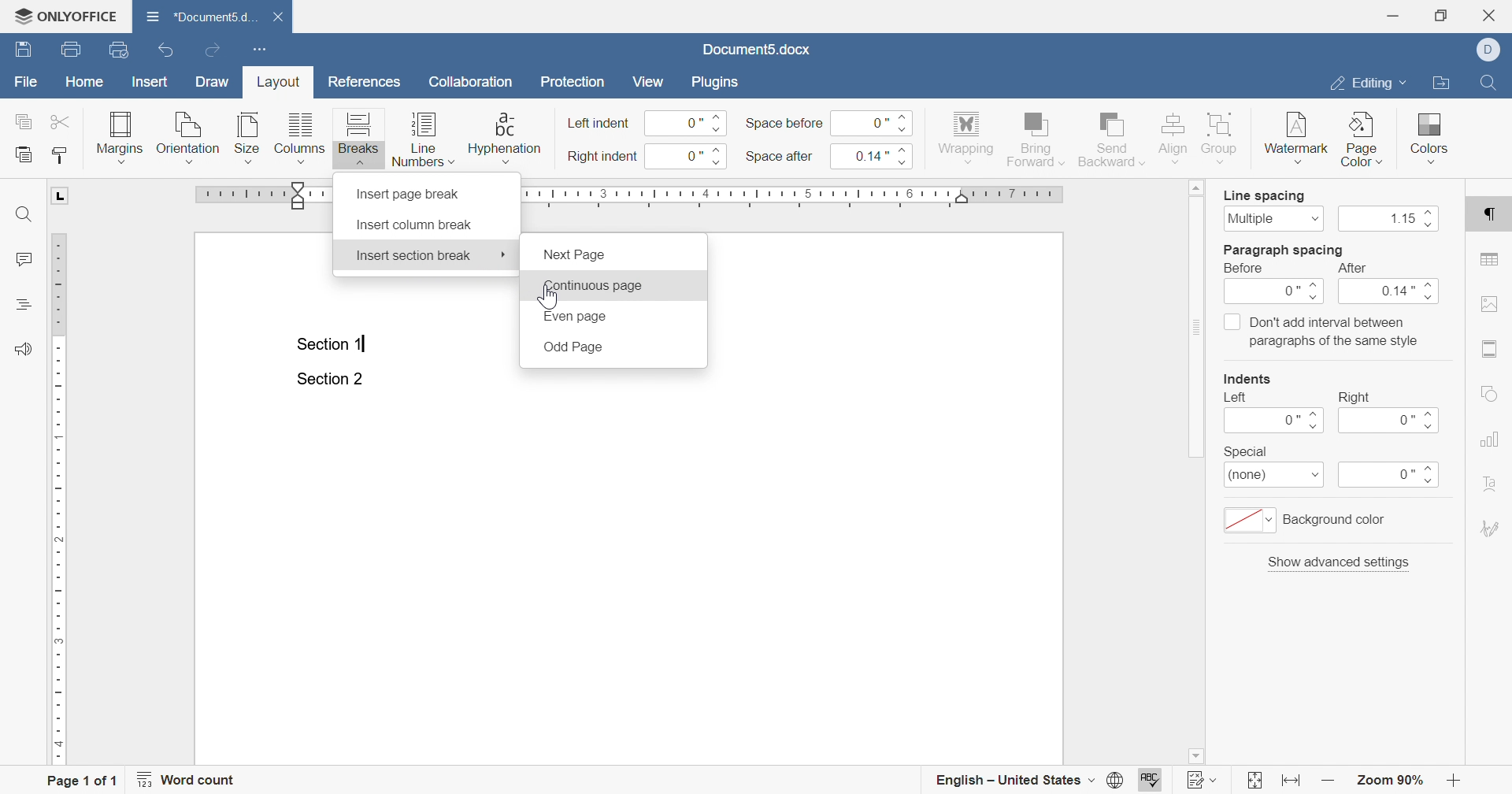  I want to click on quick print, so click(121, 49).